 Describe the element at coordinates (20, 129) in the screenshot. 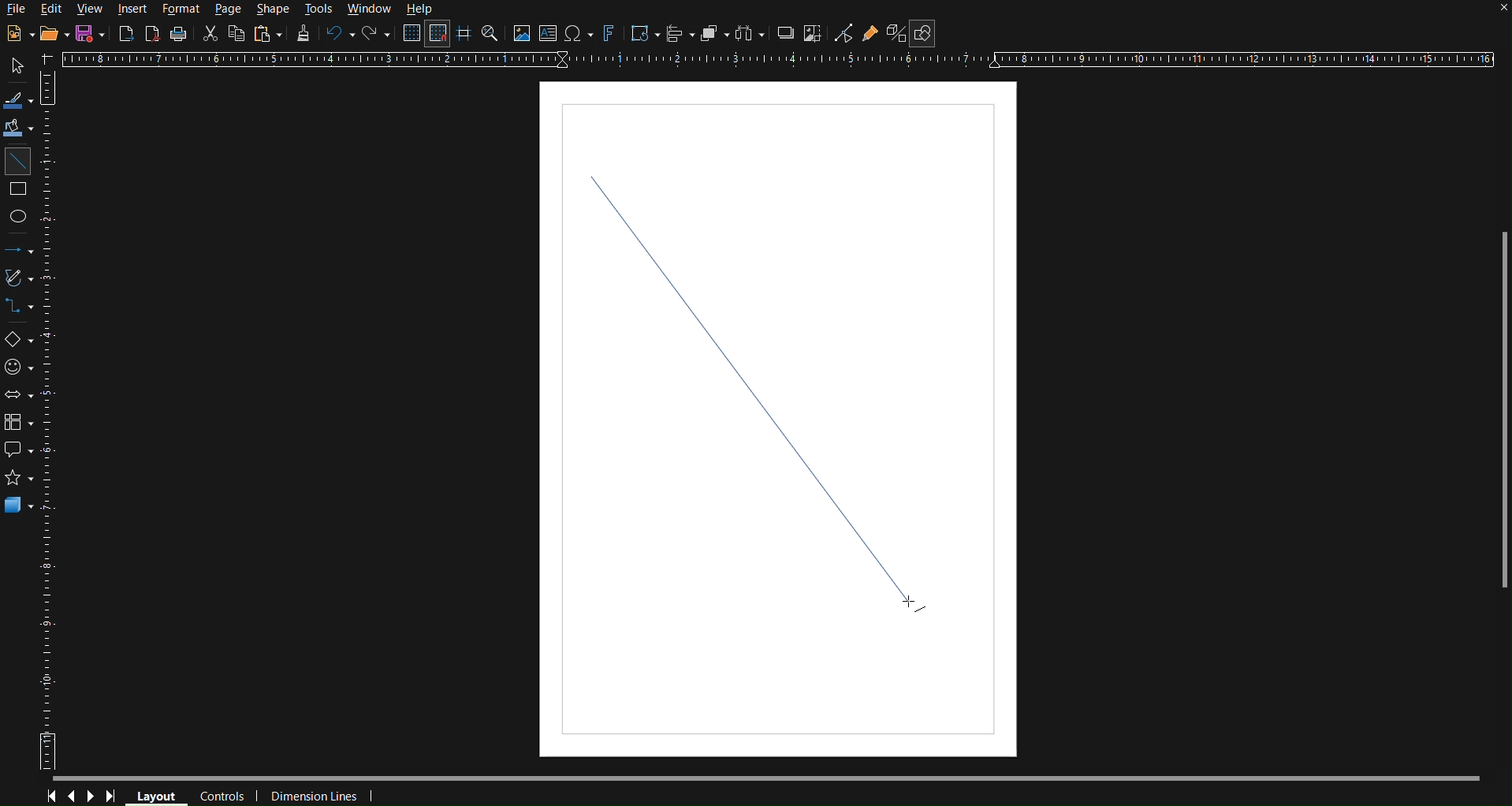

I see `Fill Color` at that location.